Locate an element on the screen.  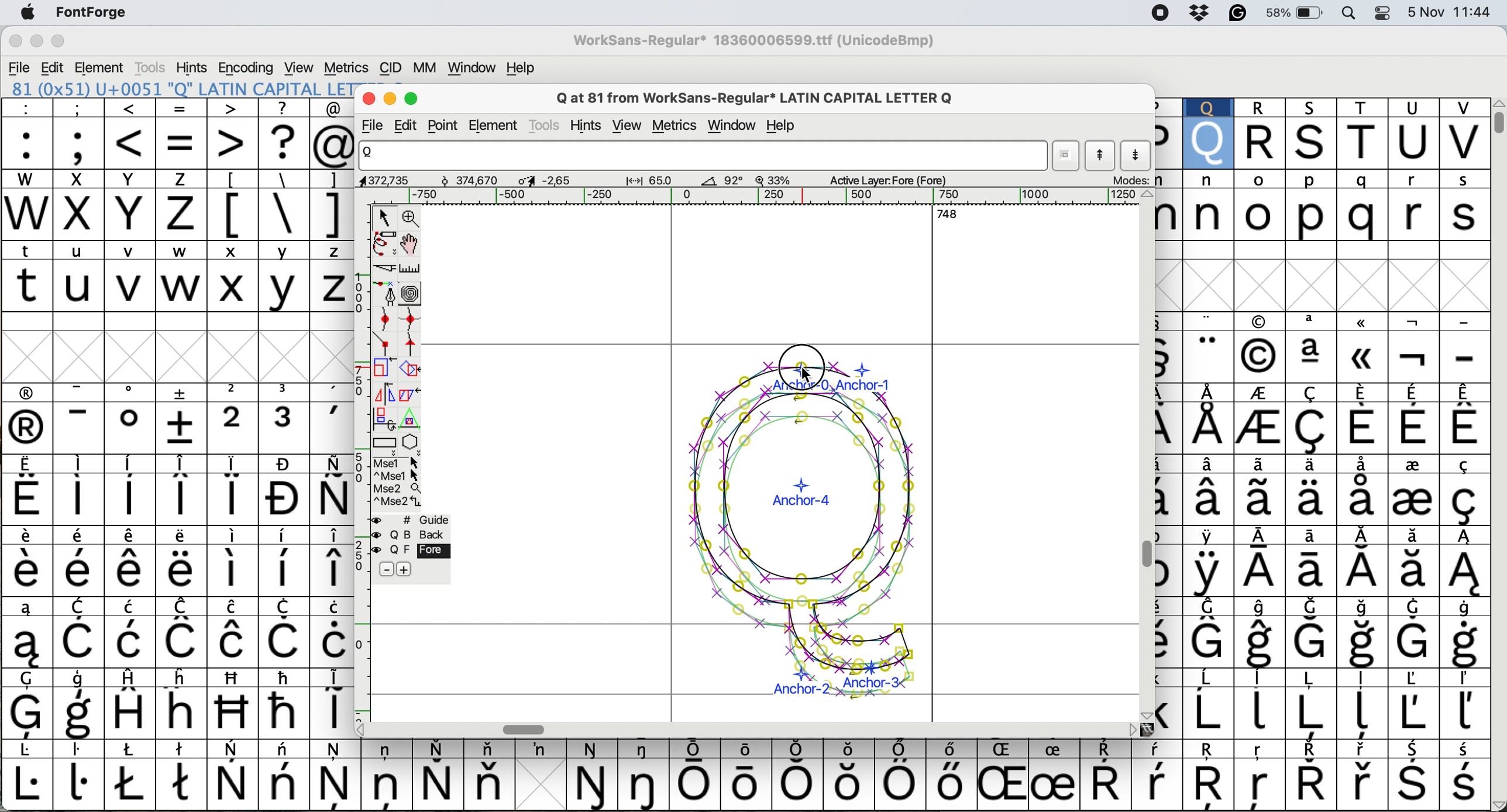
scroll by hand is located at coordinates (409, 245).